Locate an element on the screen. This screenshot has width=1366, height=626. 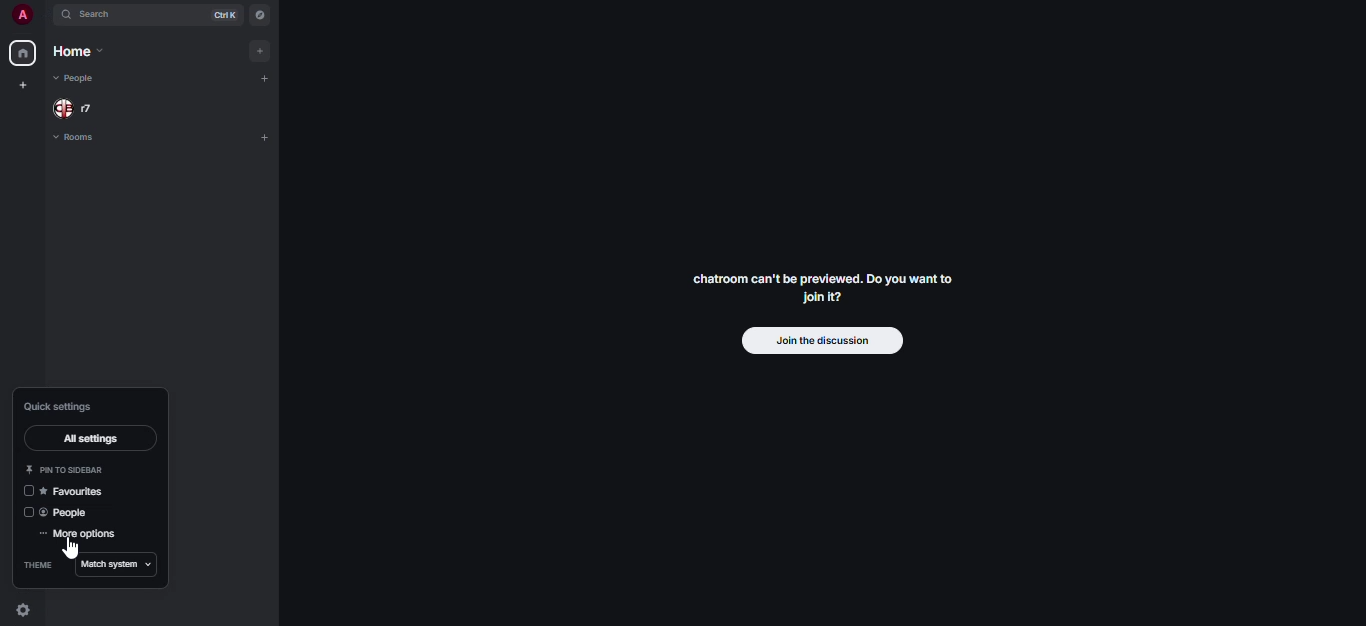
favorites is located at coordinates (76, 490).